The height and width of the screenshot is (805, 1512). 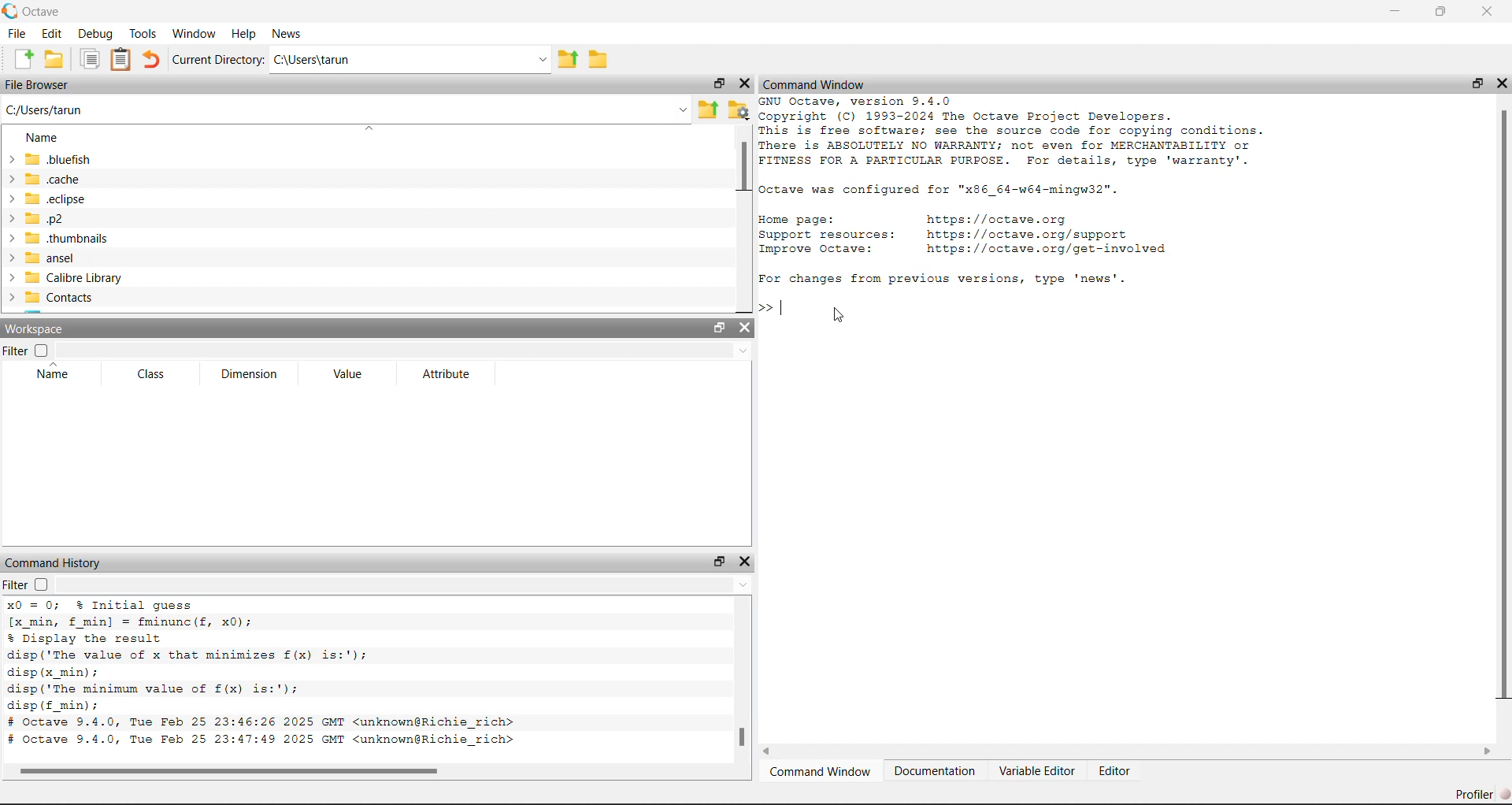 I want to click on >  Calibre Library, so click(x=65, y=276).